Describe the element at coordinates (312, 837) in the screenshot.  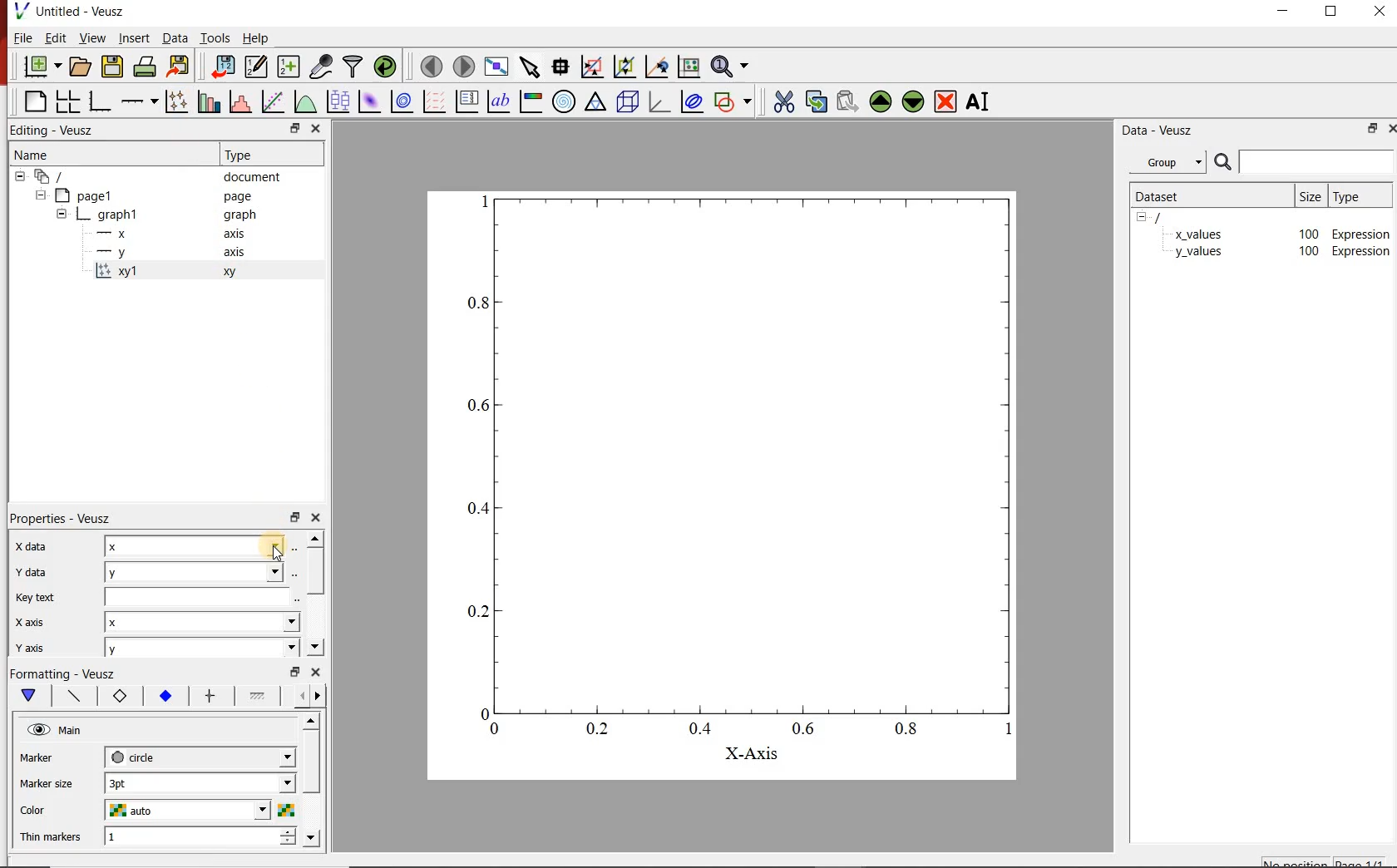
I see `move down` at that location.